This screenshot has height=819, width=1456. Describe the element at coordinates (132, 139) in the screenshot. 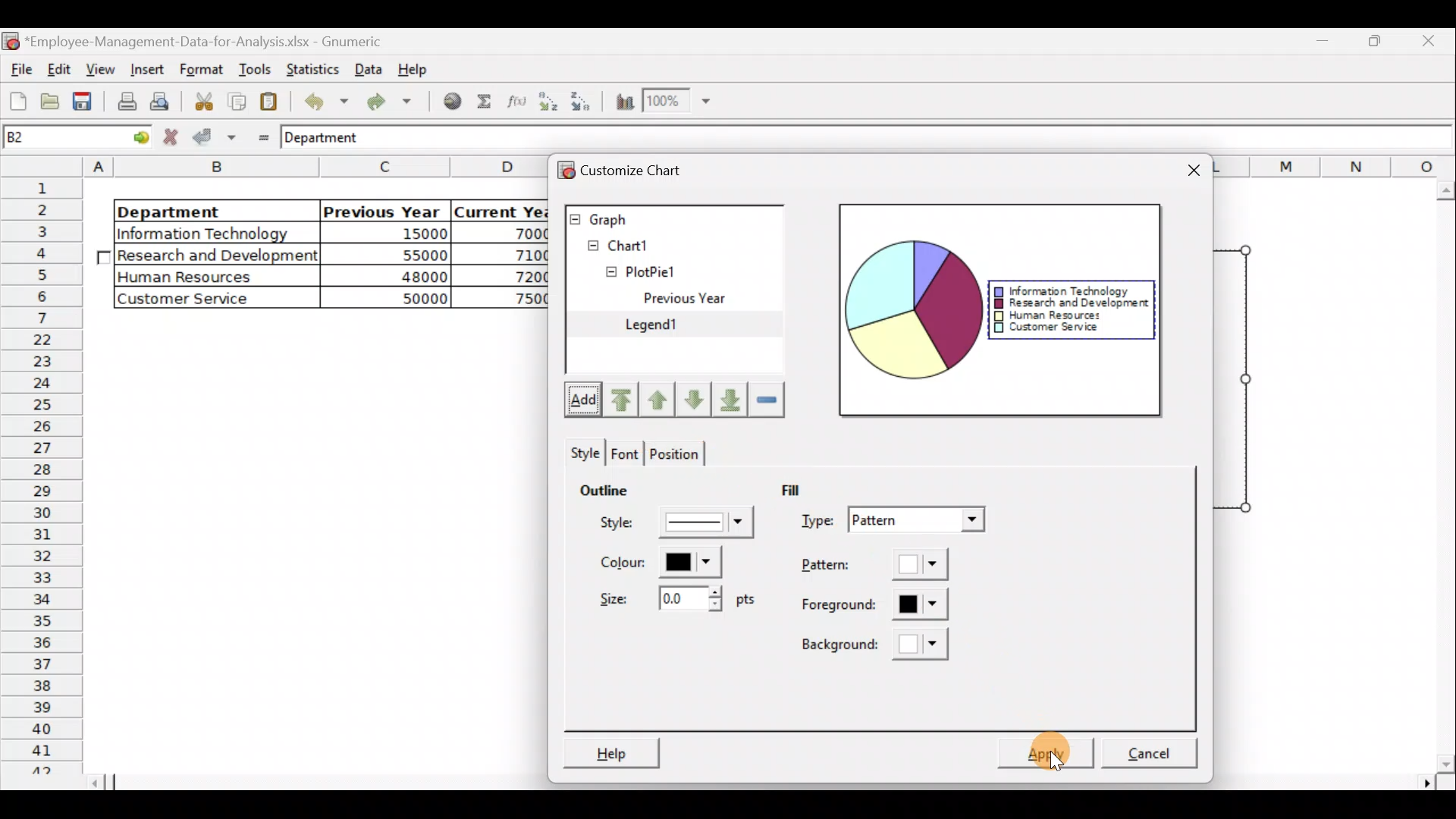

I see `go to` at that location.